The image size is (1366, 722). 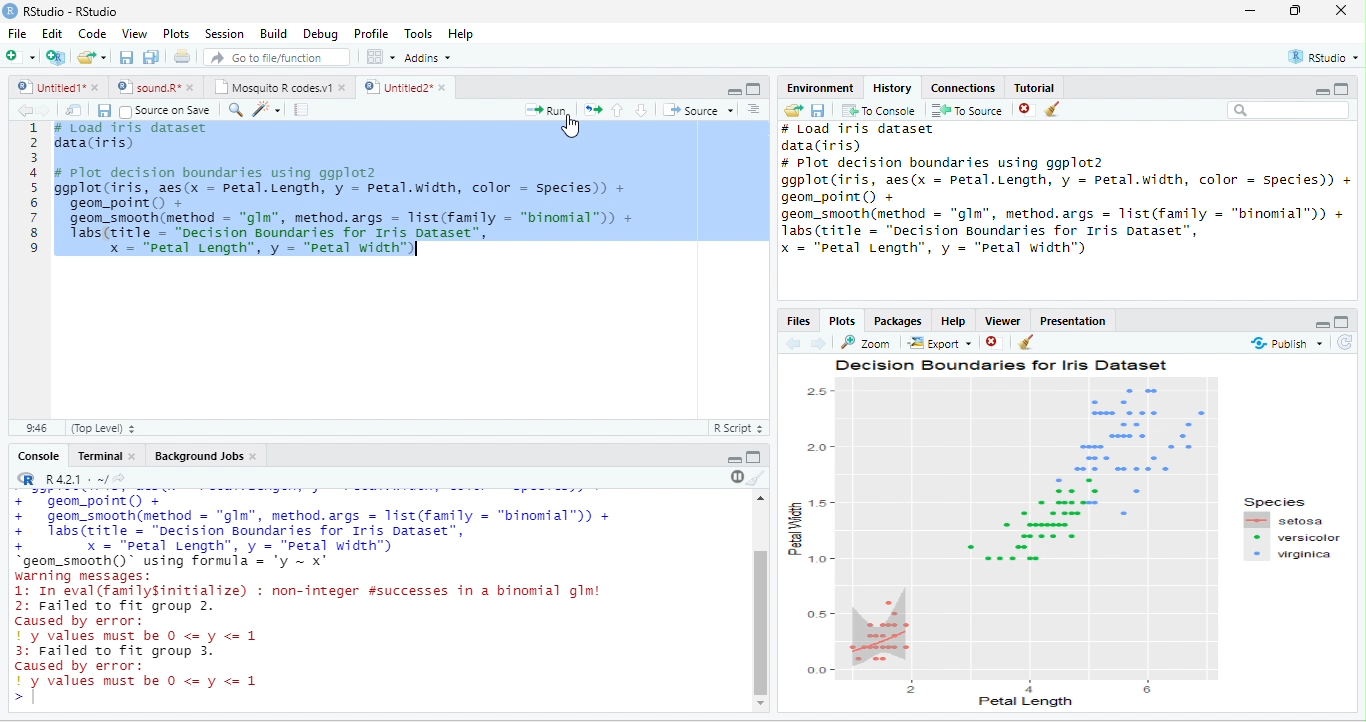 I want to click on # Load iris dataset data(iris), so click(x=858, y=138).